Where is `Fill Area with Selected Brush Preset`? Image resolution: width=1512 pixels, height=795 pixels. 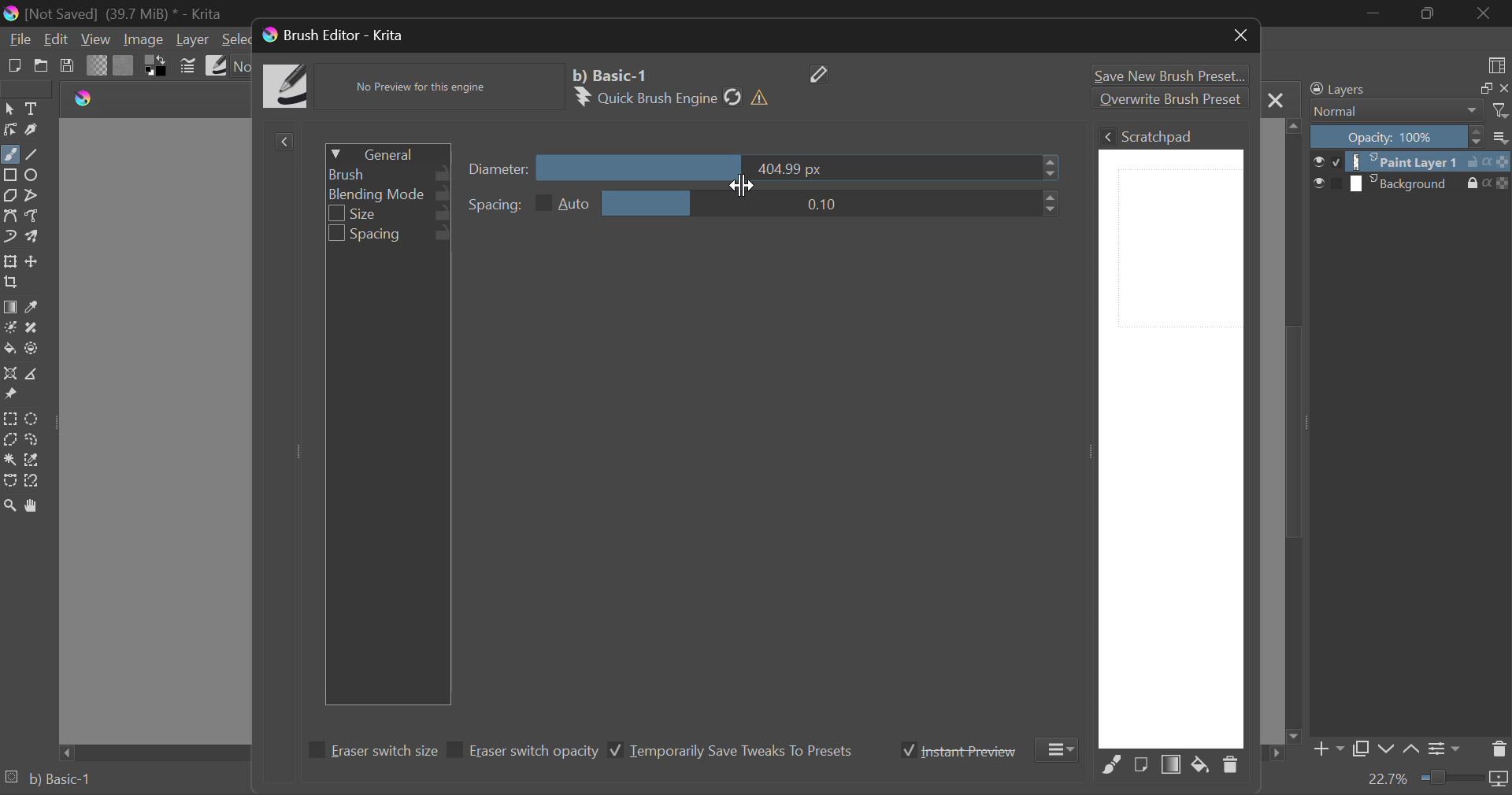 Fill Area with Selected Brush Preset is located at coordinates (1112, 765).